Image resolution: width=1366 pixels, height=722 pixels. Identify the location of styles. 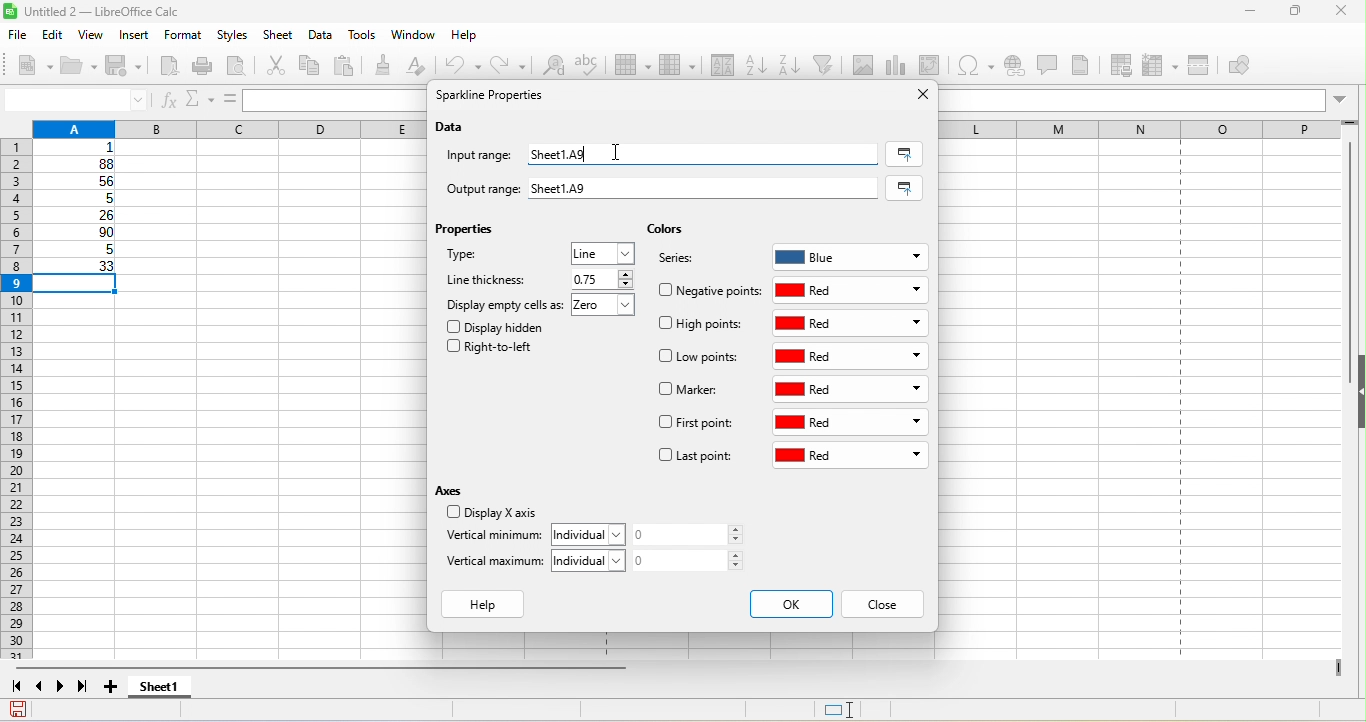
(234, 36).